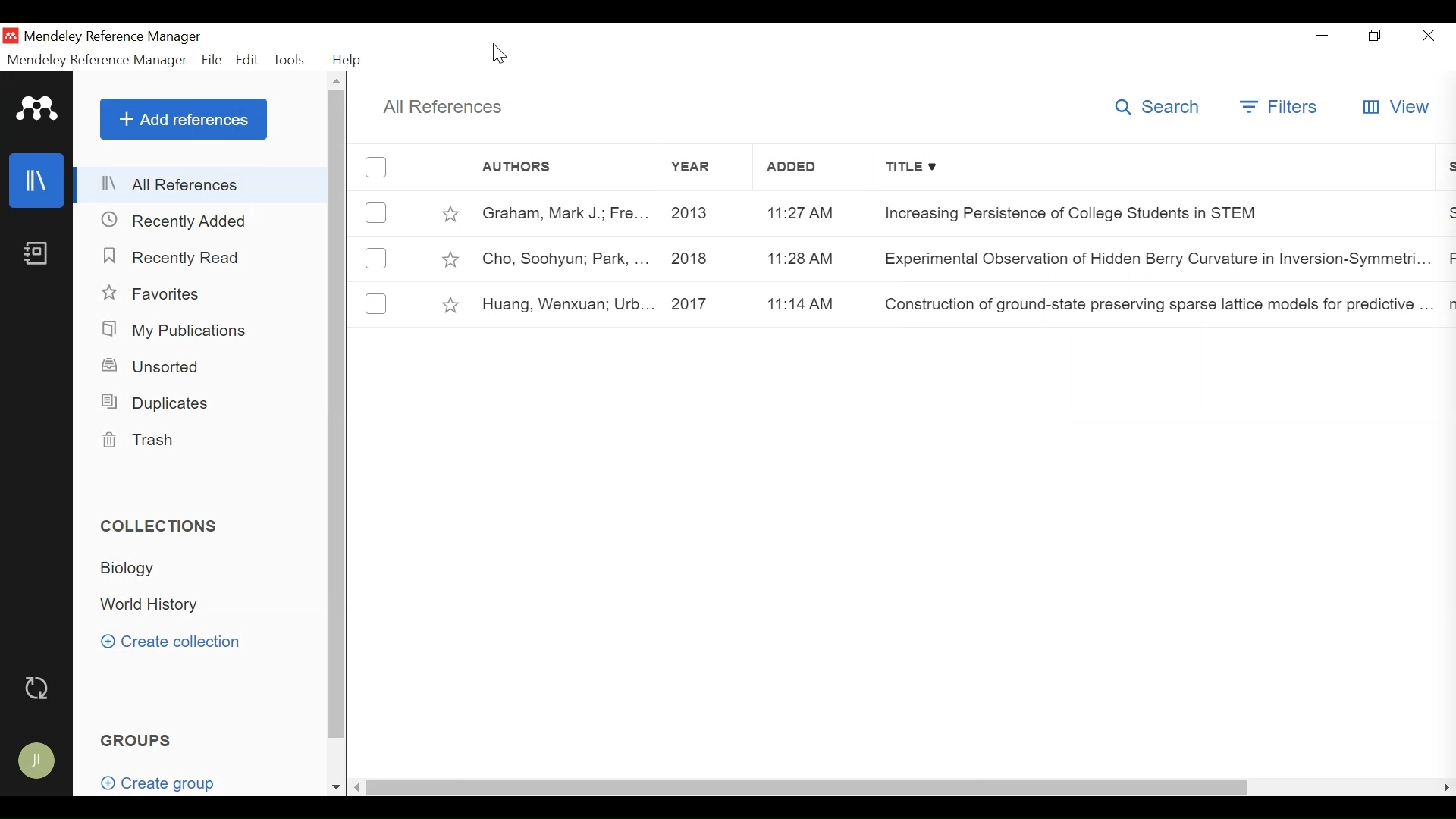 This screenshot has height=819, width=1456. What do you see at coordinates (340, 415) in the screenshot?
I see `Vertical Sroll bar` at bounding box center [340, 415].